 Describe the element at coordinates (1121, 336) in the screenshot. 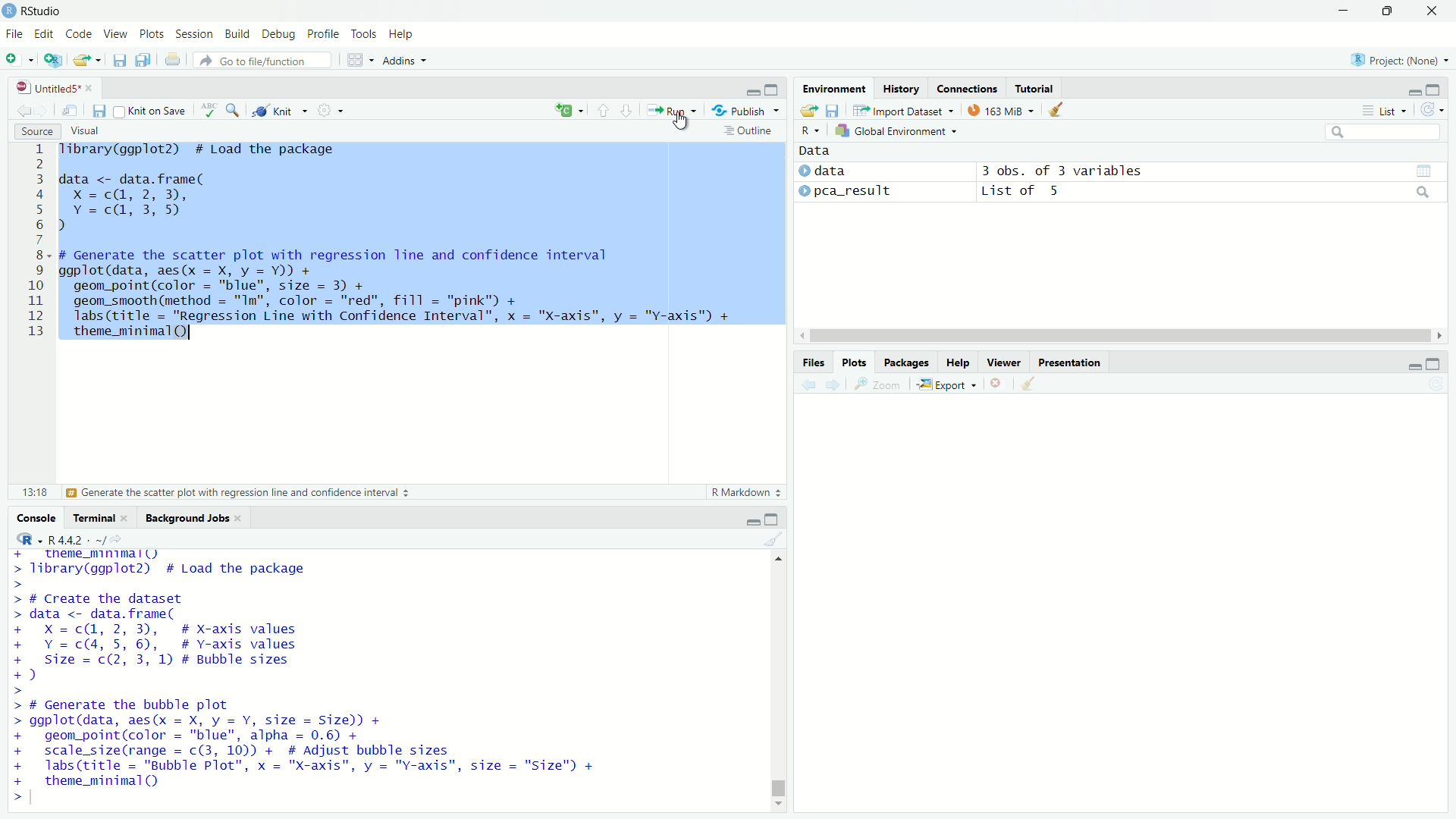

I see `horizontal scroll bar` at that location.